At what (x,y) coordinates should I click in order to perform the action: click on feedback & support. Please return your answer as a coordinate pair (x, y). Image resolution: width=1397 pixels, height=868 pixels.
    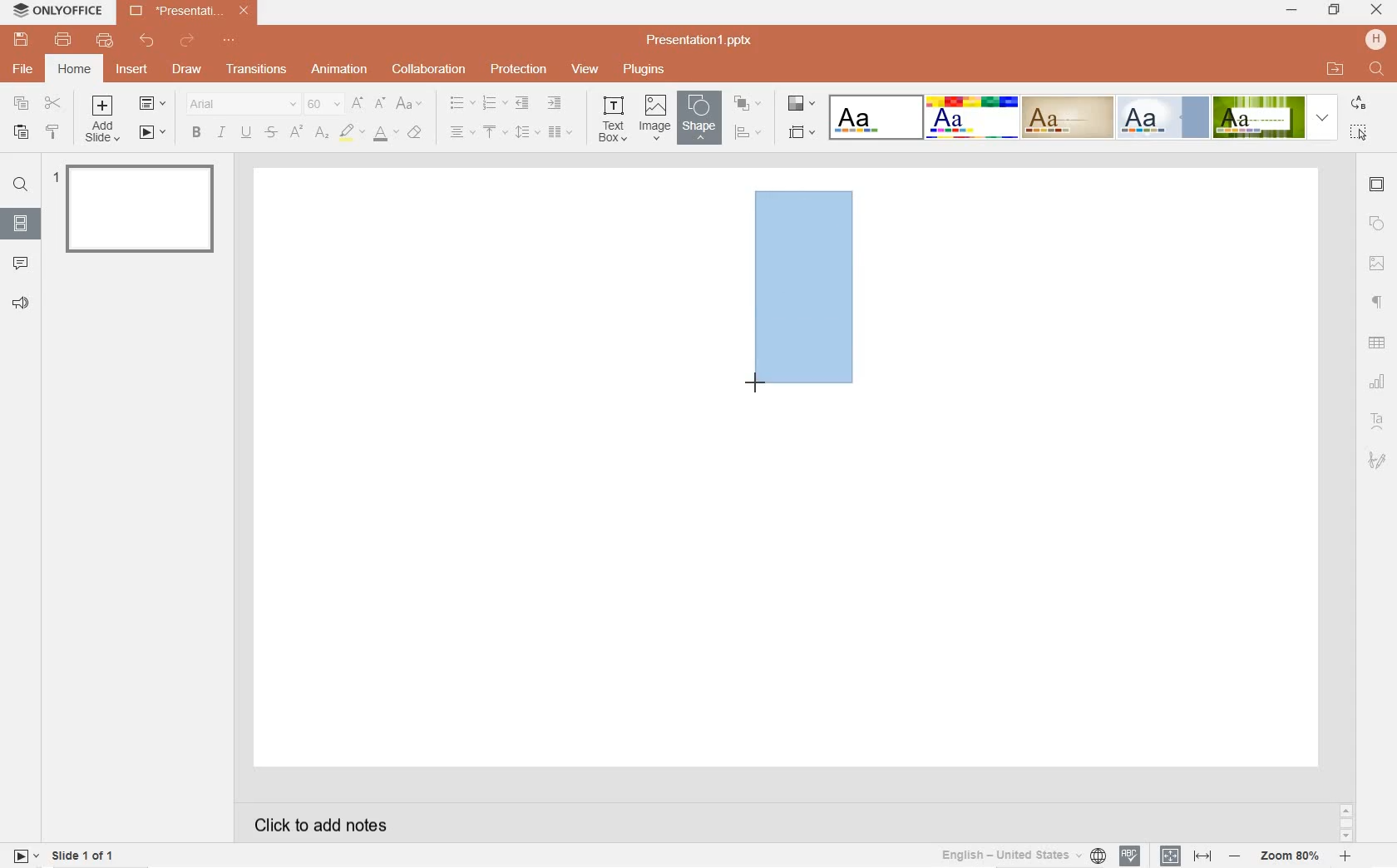
    Looking at the image, I should click on (20, 303).